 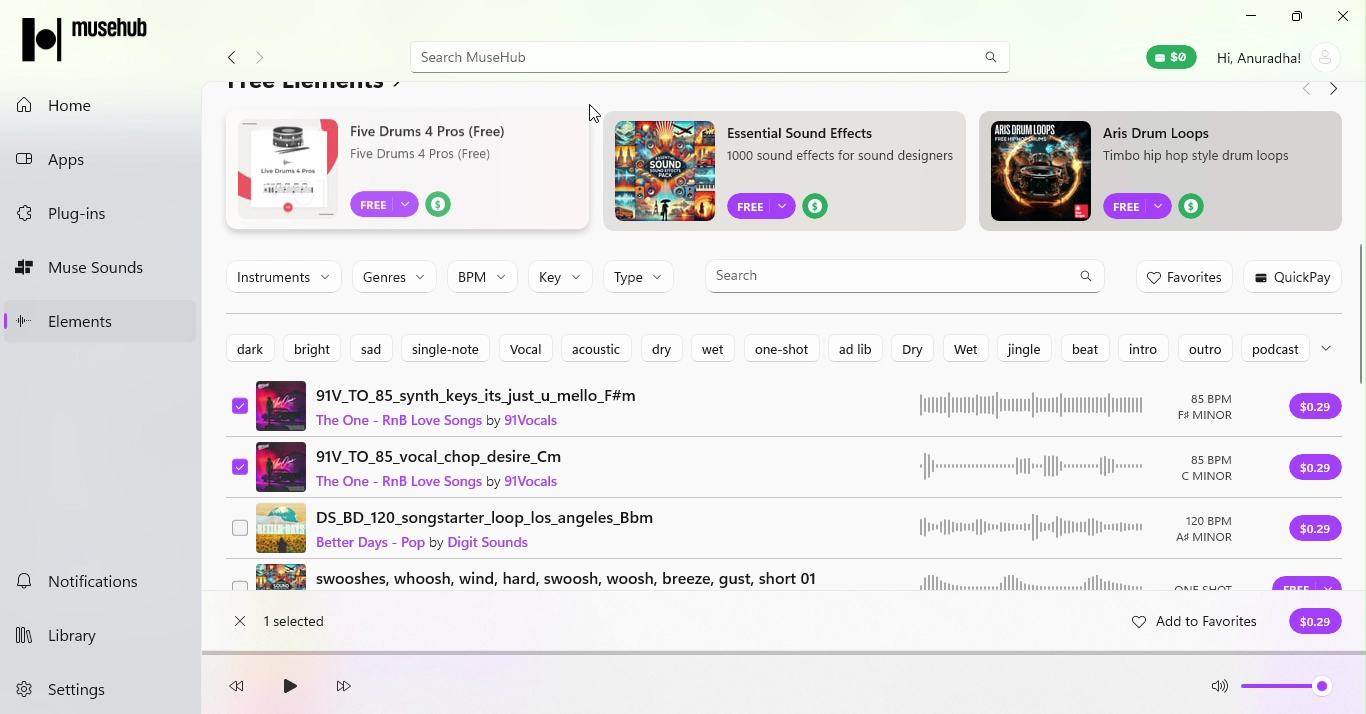 I want to click on Dry, so click(x=910, y=349).